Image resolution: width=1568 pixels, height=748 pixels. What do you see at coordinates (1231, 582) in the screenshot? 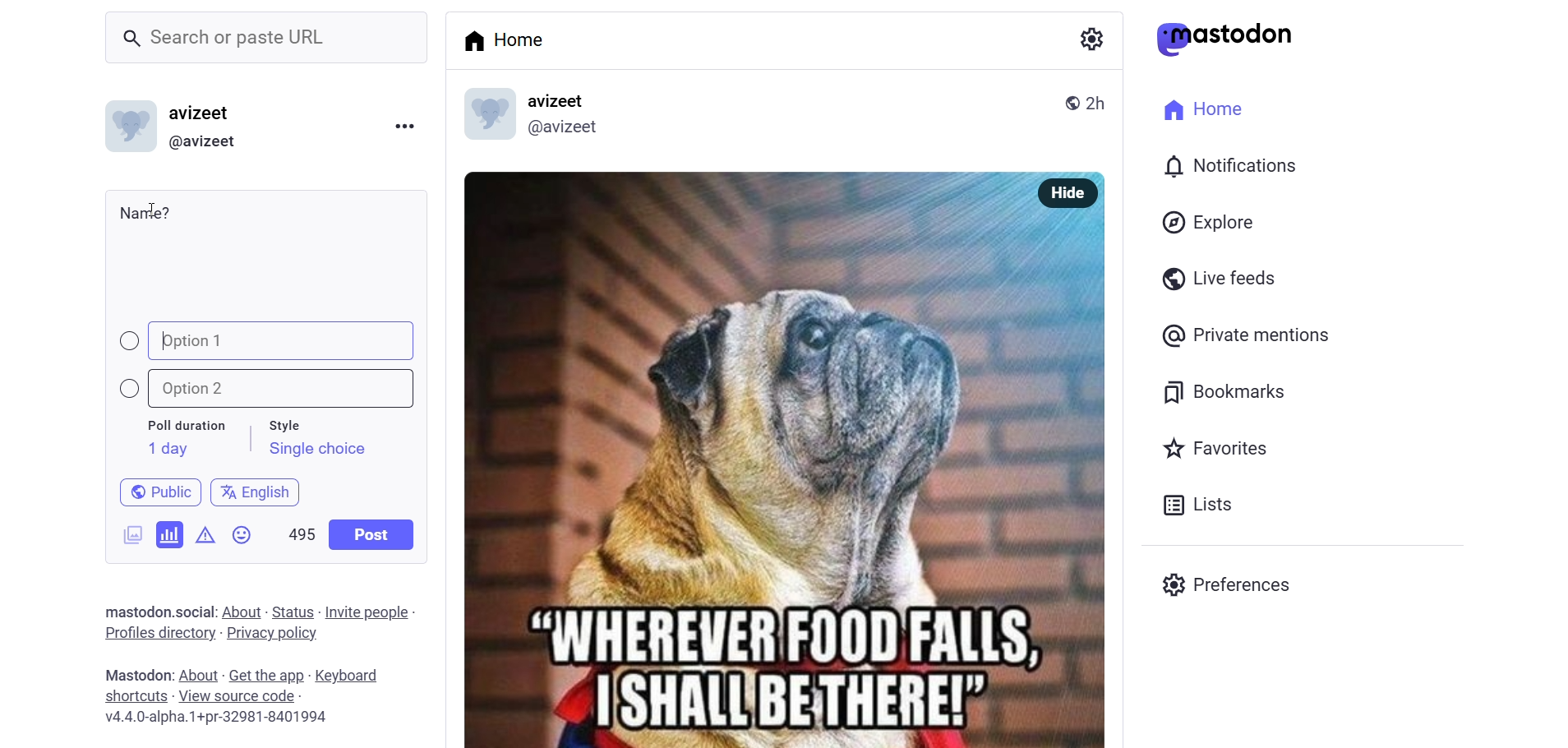
I see `preferences` at bounding box center [1231, 582].